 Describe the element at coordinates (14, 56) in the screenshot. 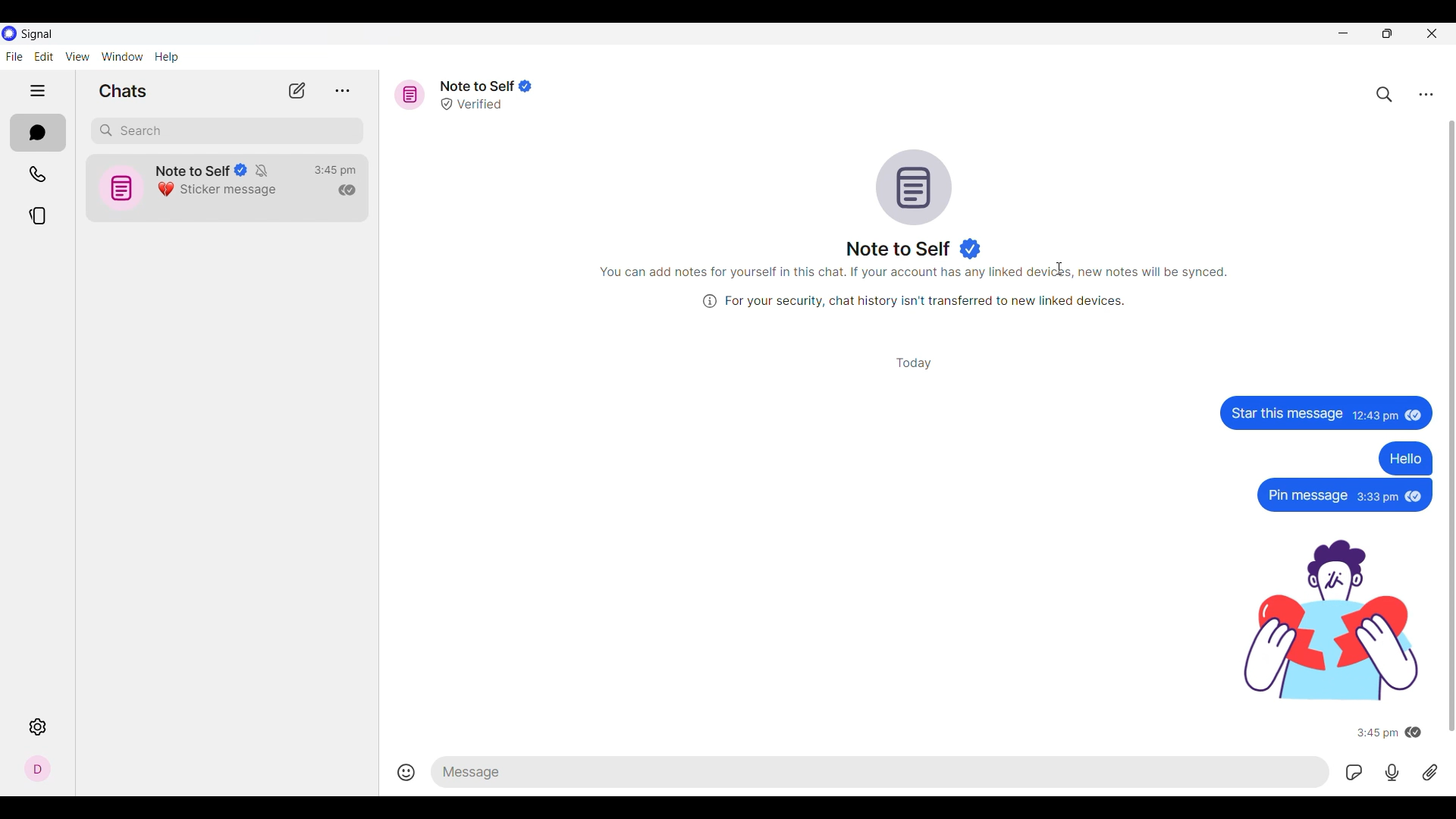

I see `File menu` at that location.